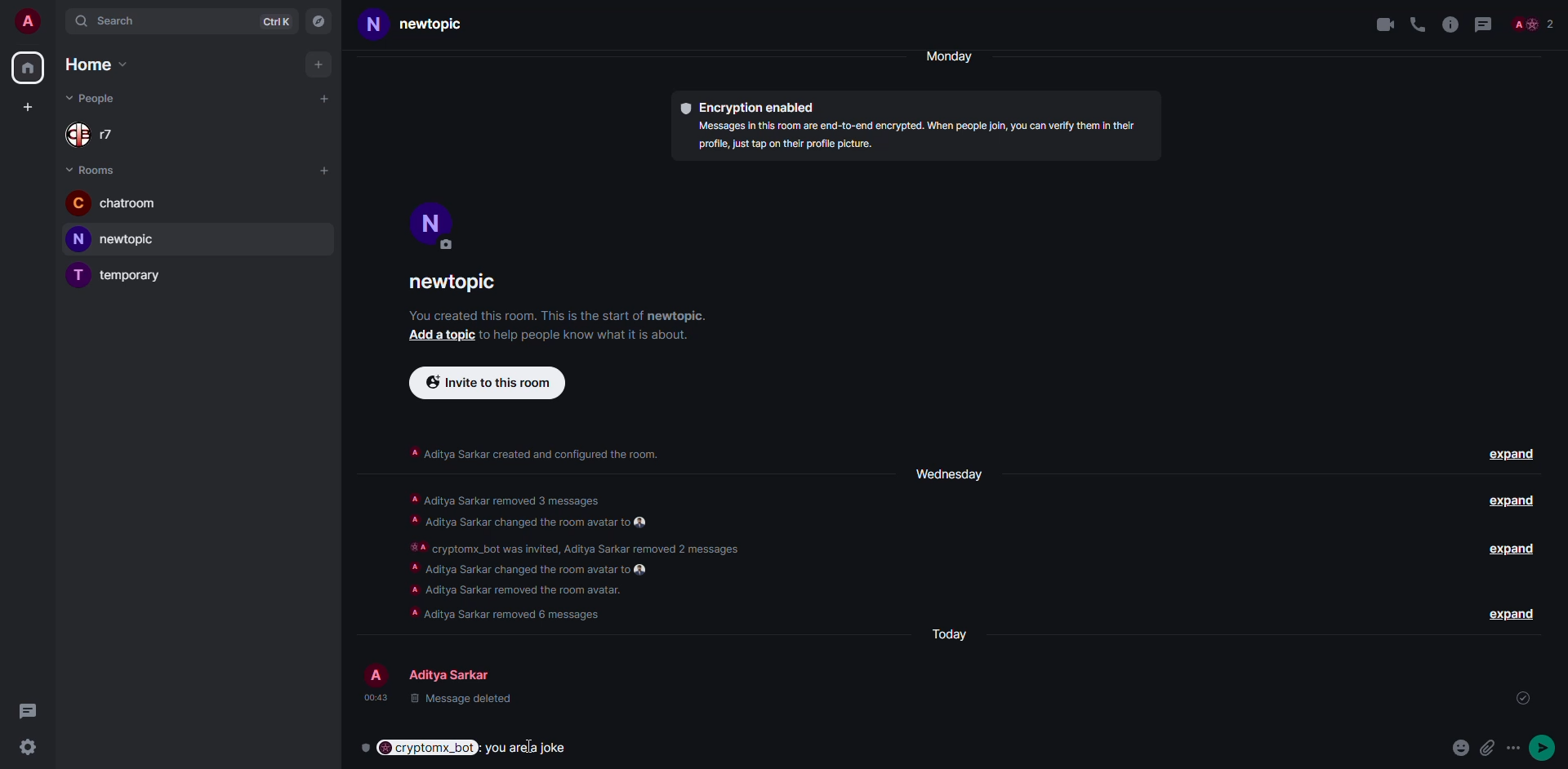 The height and width of the screenshot is (769, 1568). Describe the element at coordinates (751, 109) in the screenshot. I see `encryption enabled` at that location.